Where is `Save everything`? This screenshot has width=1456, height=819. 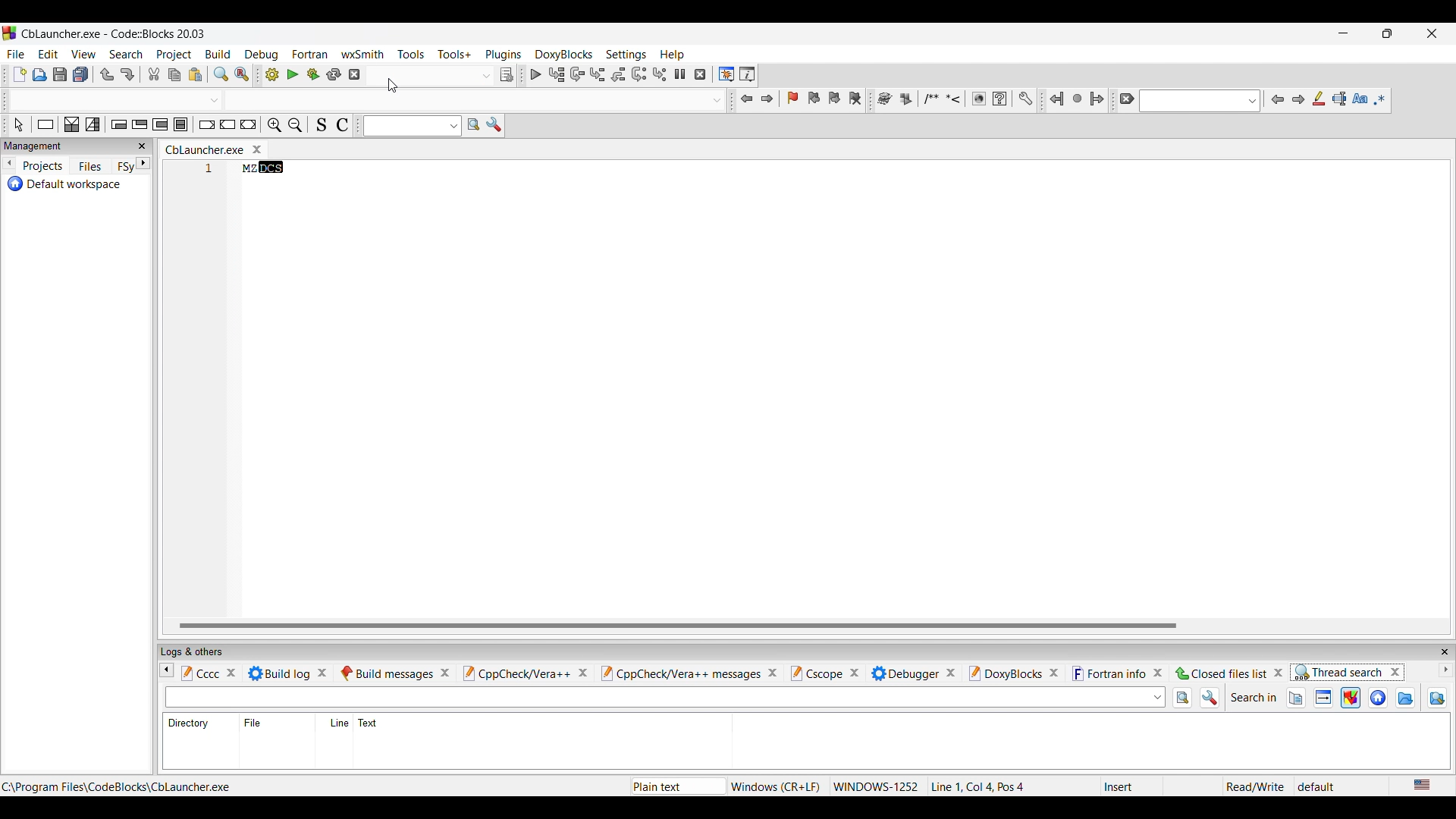 Save everything is located at coordinates (81, 74).